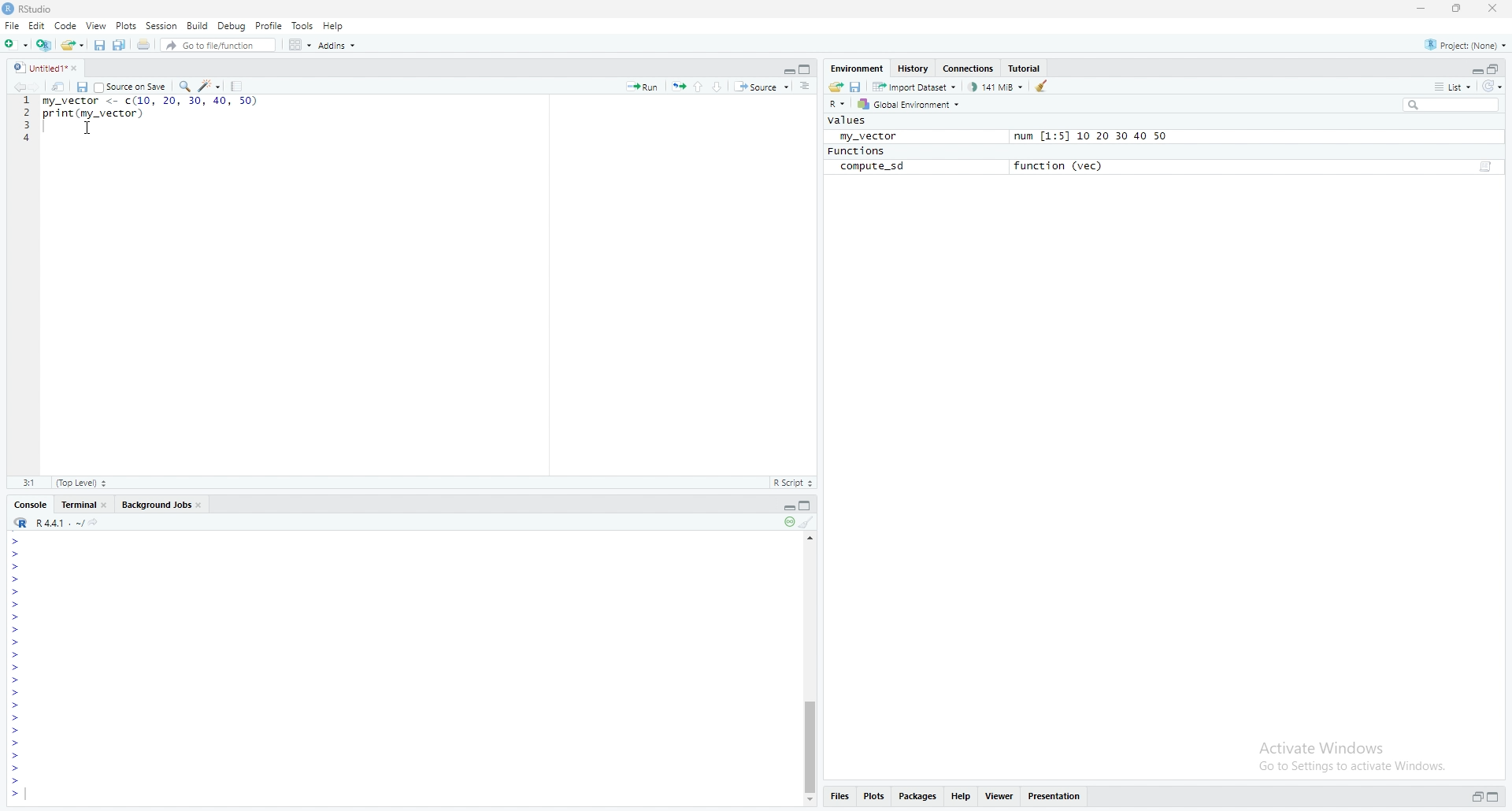 This screenshot has height=811, width=1512. What do you see at coordinates (1090, 137) in the screenshot?
I see `num [1:5] 10 20 30 40 50` at bounding box center [1090, 137].